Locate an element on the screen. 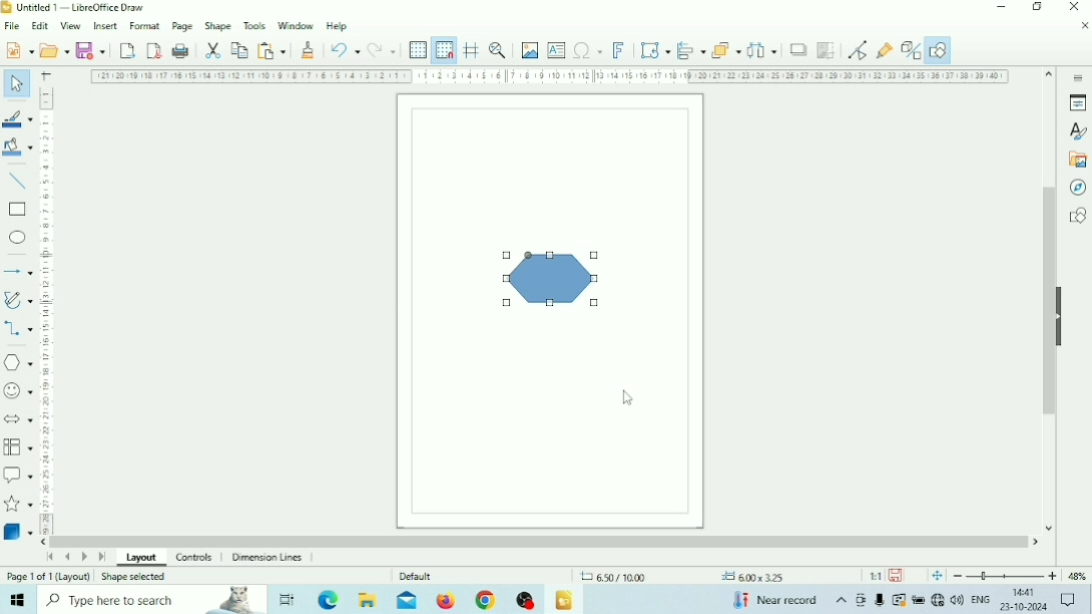 This screenshot has width=1092, height=614. Close is located at coordinates (1073, 7).